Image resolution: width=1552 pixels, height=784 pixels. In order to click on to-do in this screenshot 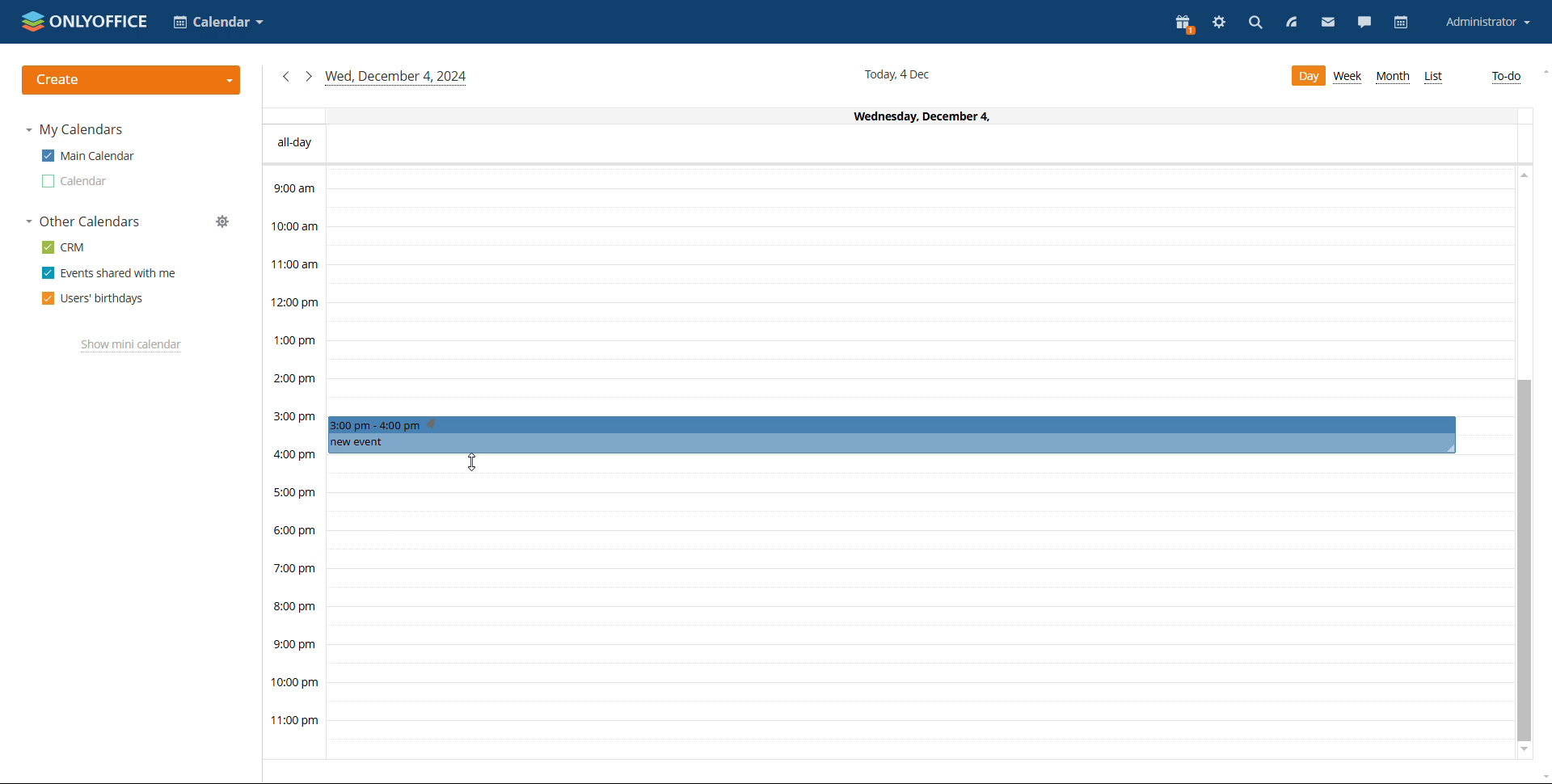, I will do `click(1506, 78)`.